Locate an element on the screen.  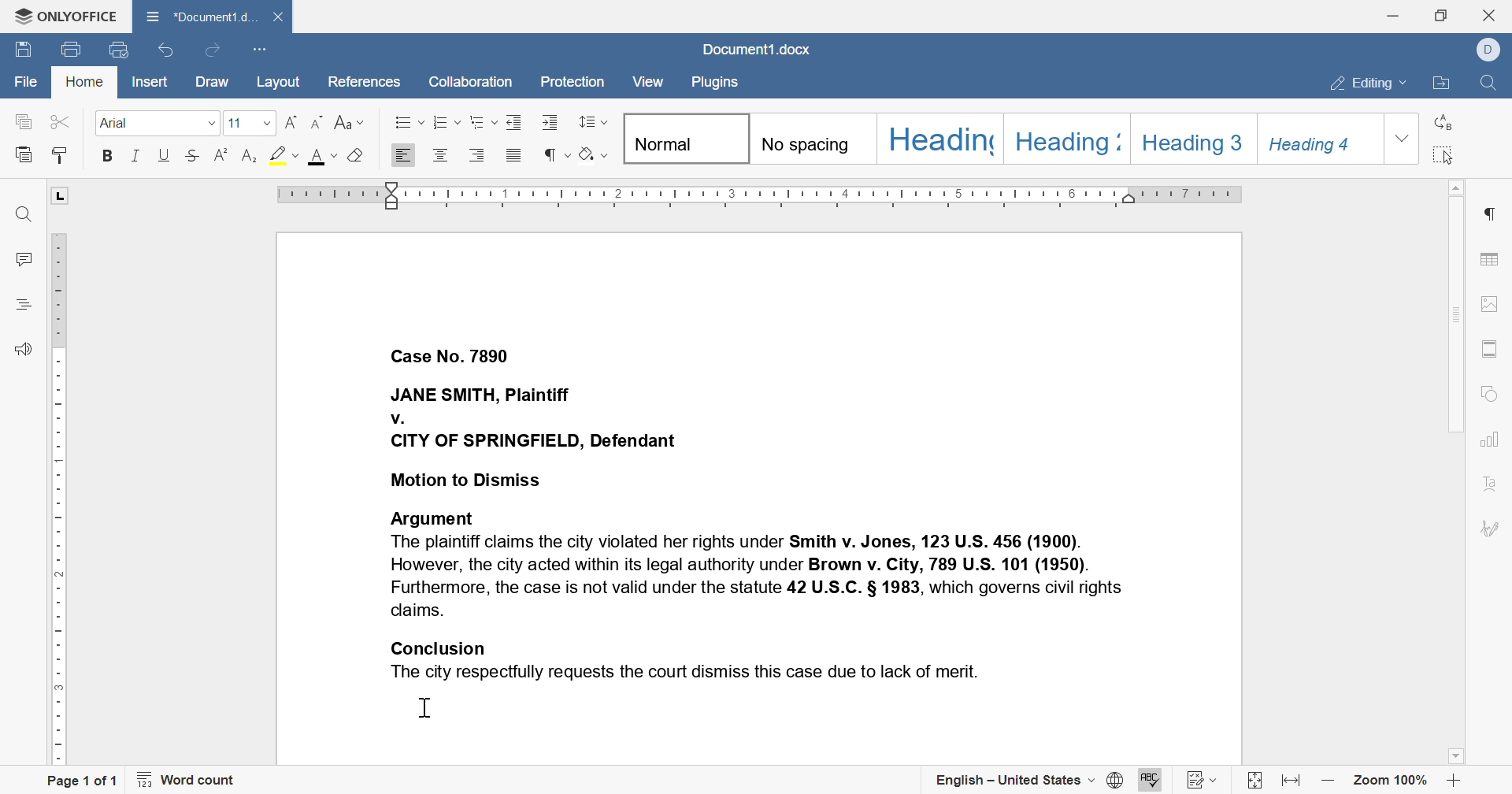
signature settings is located at coordinates (1489, 528).